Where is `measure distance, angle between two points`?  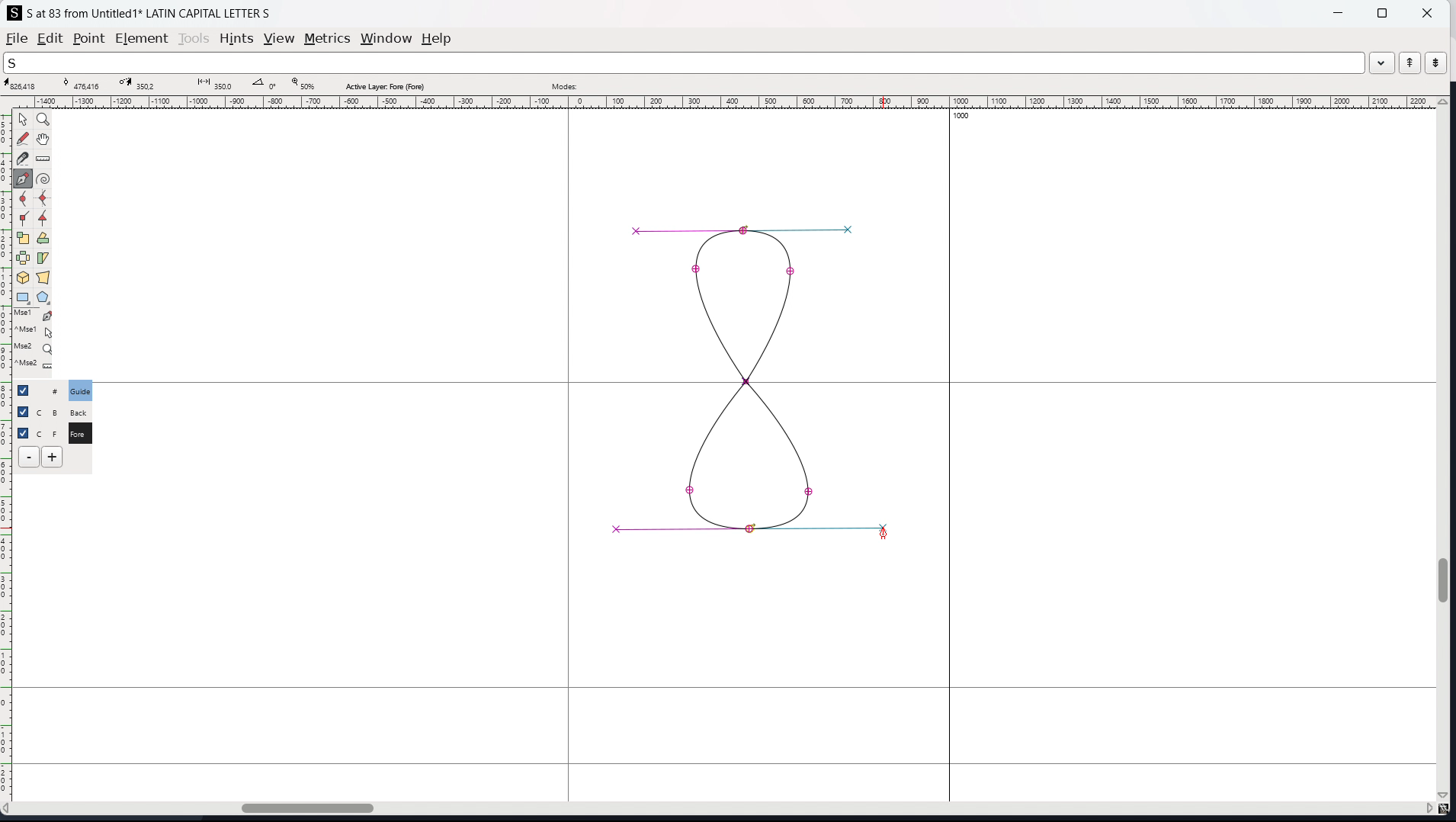
measure distance, angle between two points is located at coordinates (43, 159).